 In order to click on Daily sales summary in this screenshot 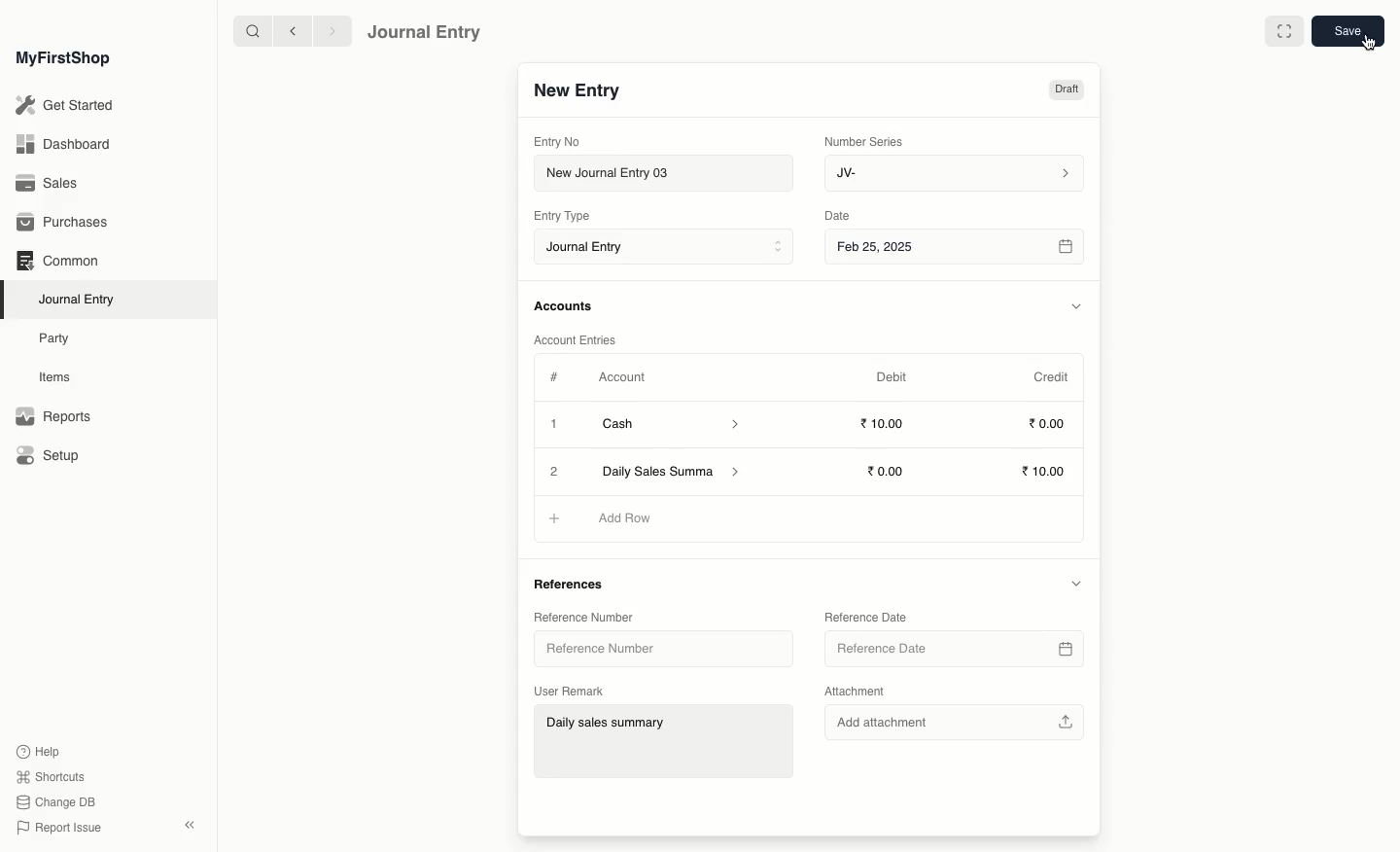, I will do `click(666, 743)`.